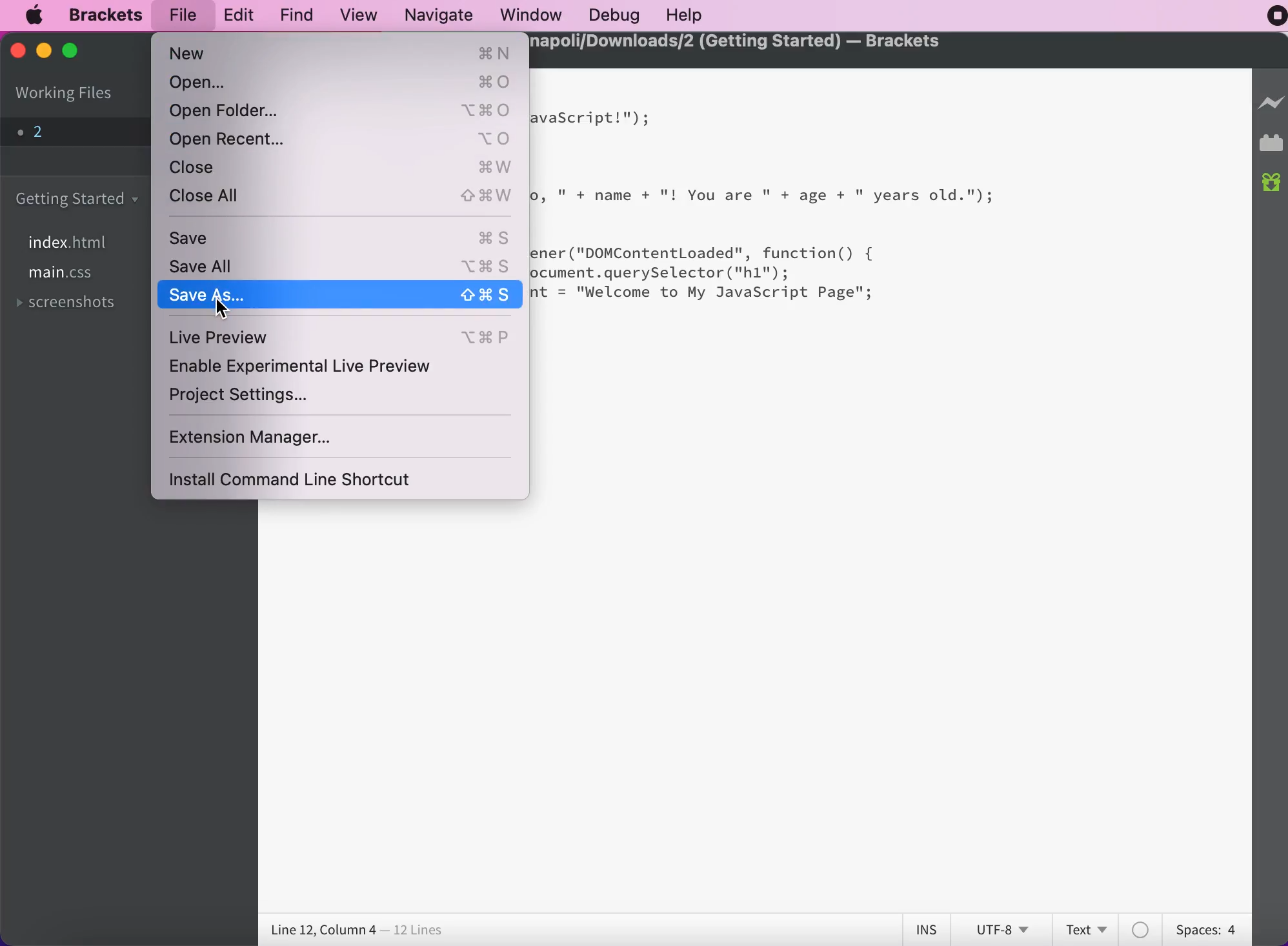 The height and width of the screenshot is (946, 1288). Describe the element at coordinates (1272, 184) in the screenshot. I see `new build of brackets` at that location.